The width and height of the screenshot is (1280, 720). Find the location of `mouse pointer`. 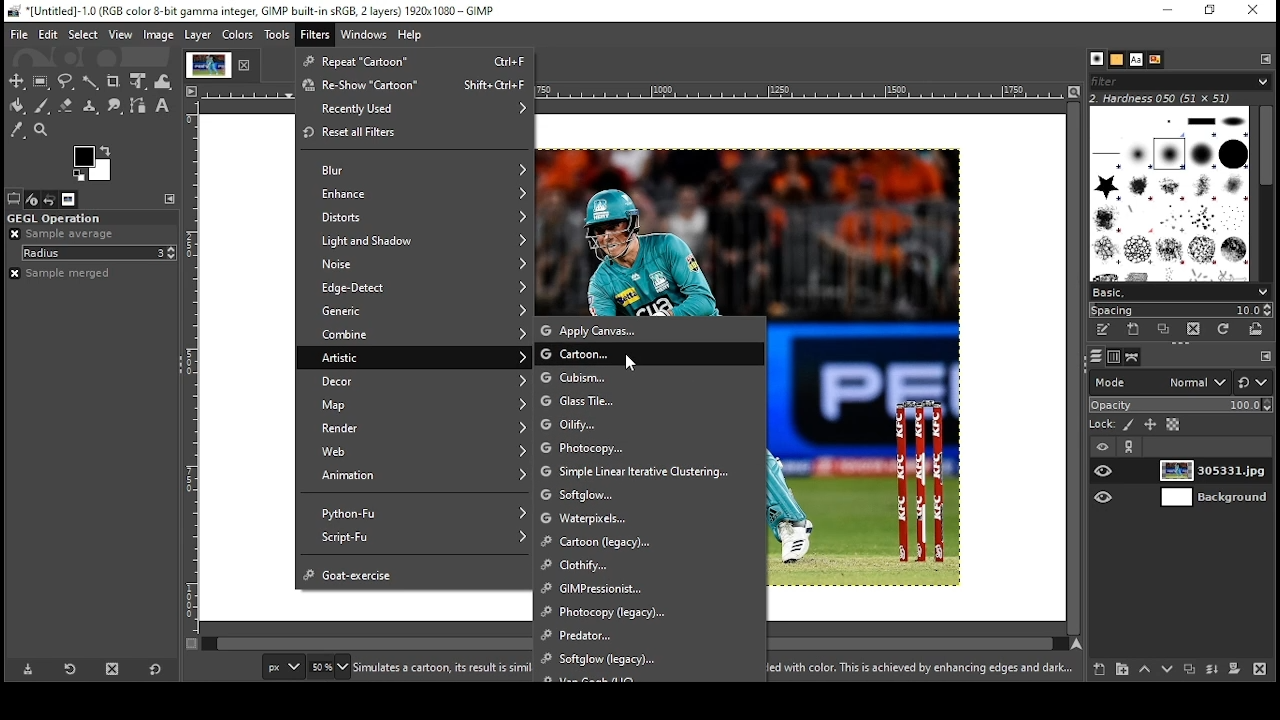

mouse pointer is located at coordinates (632, 362).